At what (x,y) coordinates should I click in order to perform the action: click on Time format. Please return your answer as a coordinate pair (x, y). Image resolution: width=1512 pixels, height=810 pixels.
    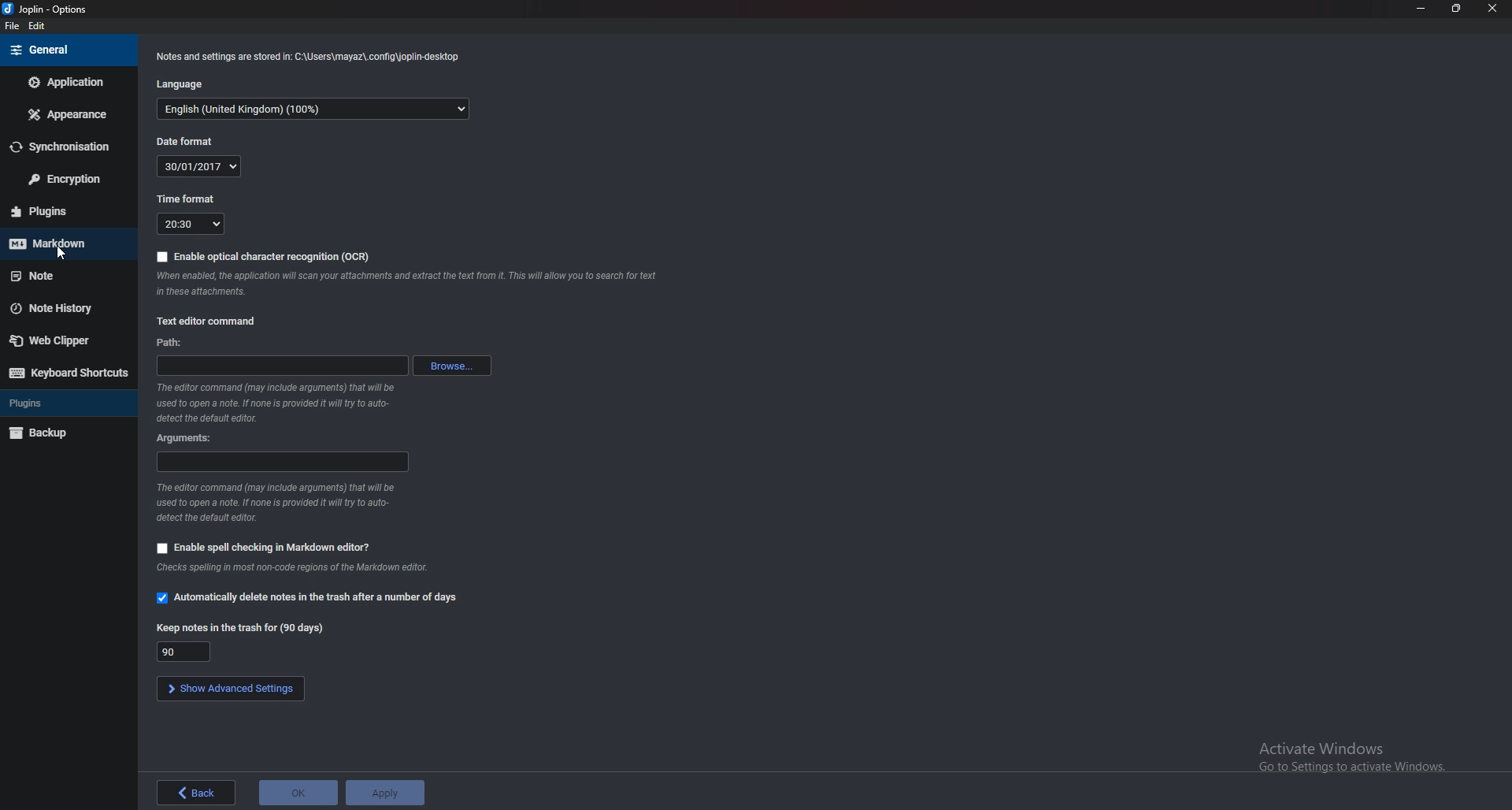
    Looking at the image, I should click on (187, 199).